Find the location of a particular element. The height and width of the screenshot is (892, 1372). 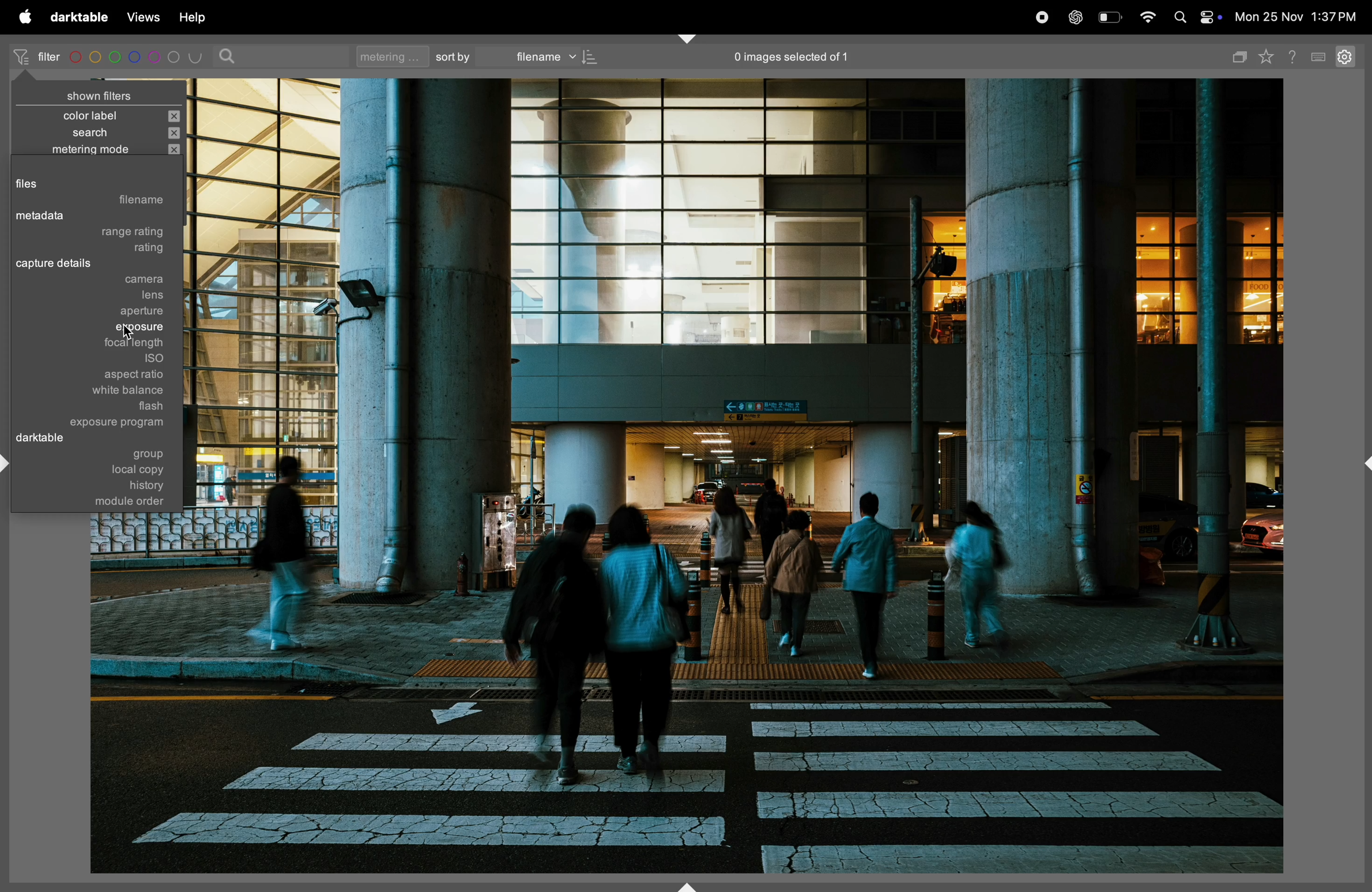

no of images selected is located at coordinates (790, 58).